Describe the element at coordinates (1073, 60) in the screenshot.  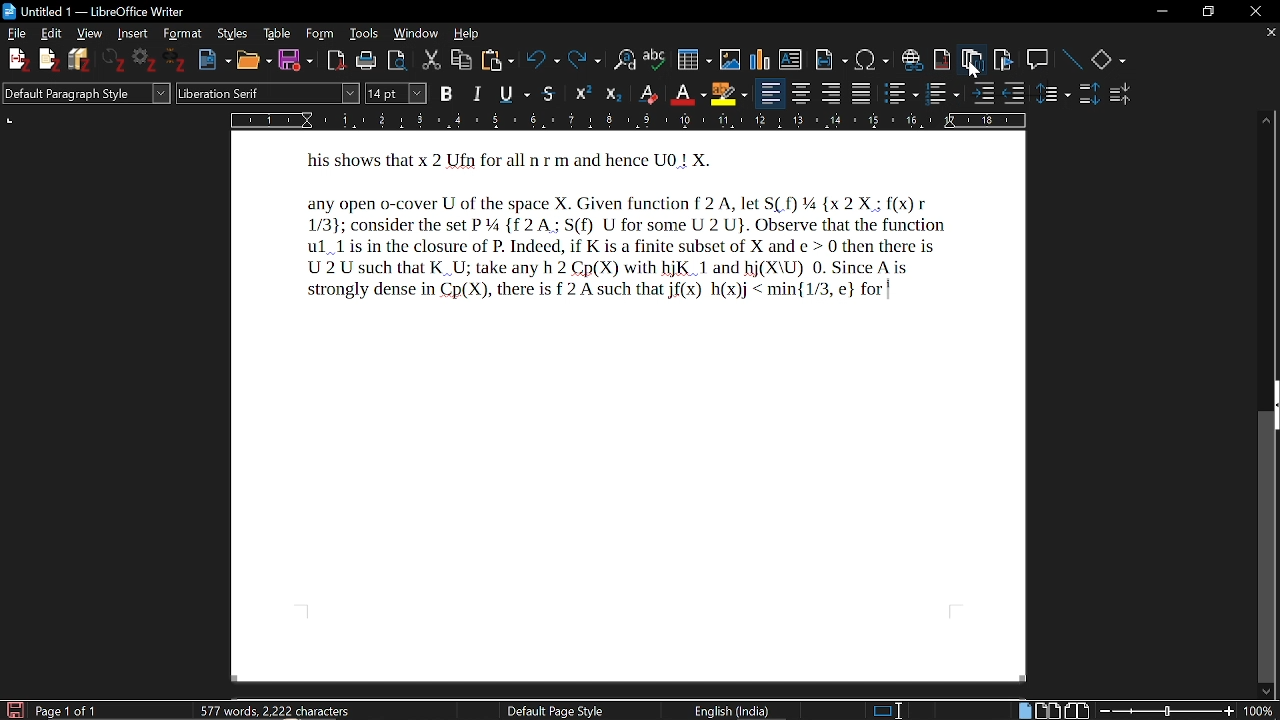
I see `Line` at that location.